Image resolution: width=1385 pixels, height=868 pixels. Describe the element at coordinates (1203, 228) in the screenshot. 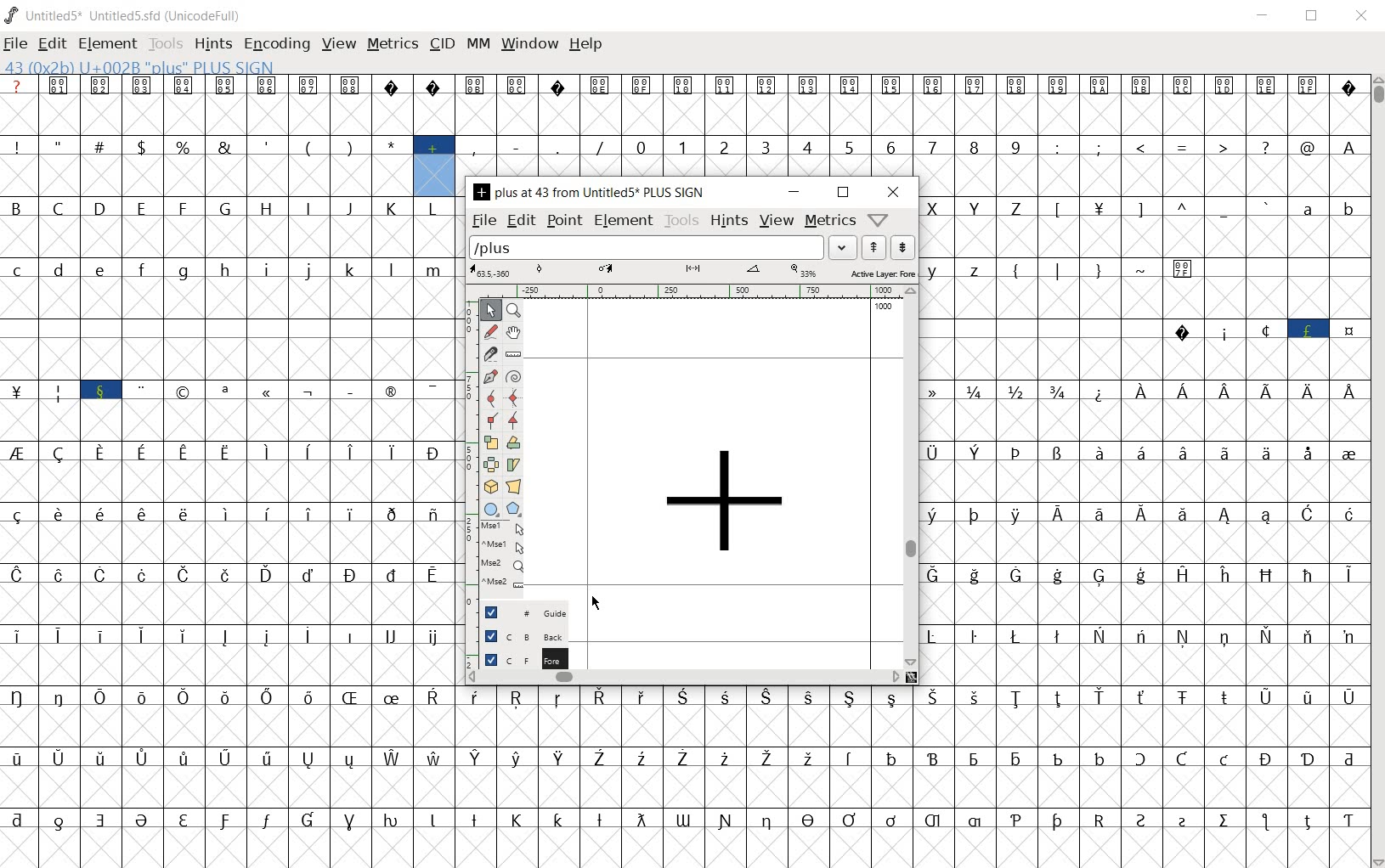

I see `special characters` at that location.